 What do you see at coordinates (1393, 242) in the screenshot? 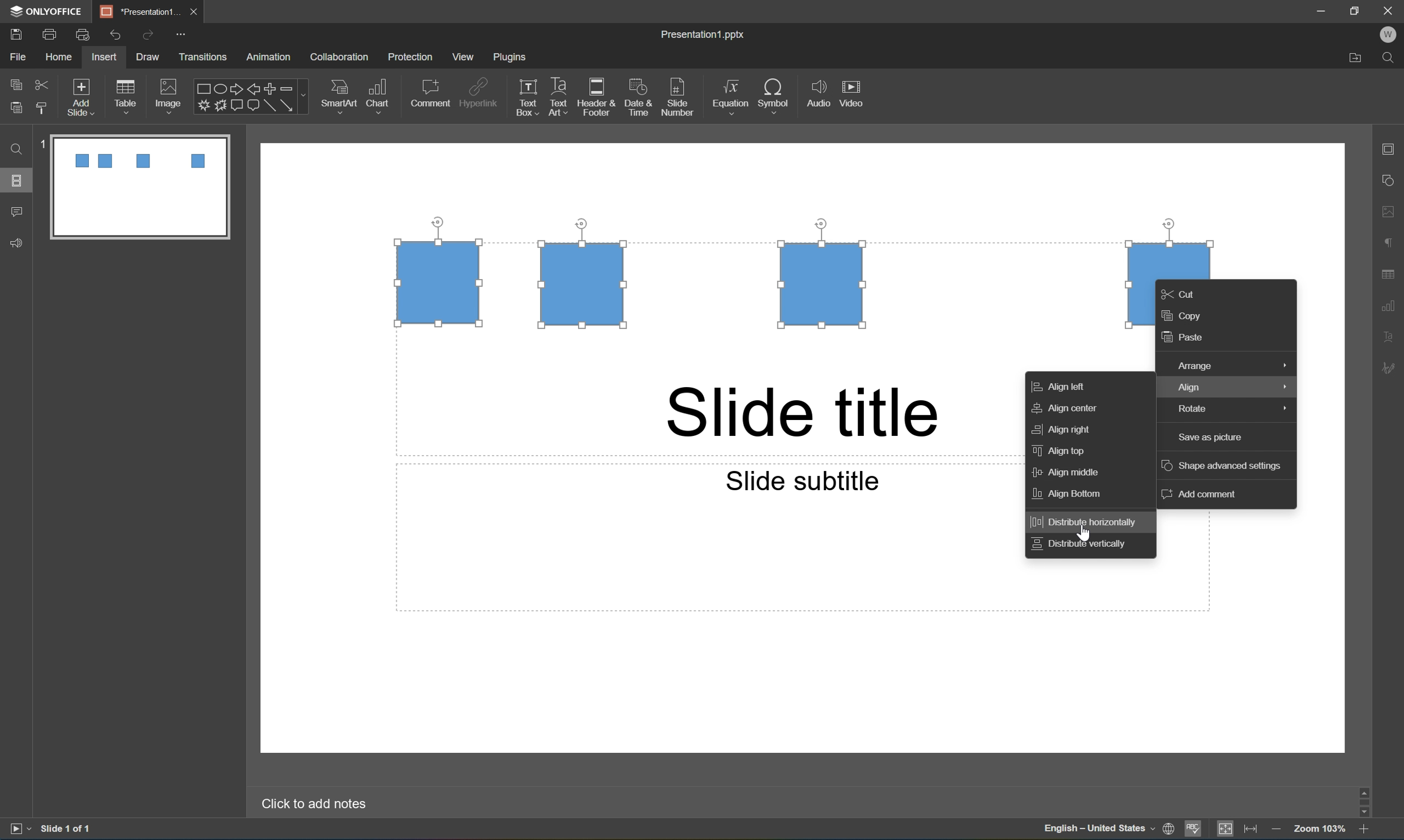
I see `paragraph settings` at bounding box center [1393, 242].